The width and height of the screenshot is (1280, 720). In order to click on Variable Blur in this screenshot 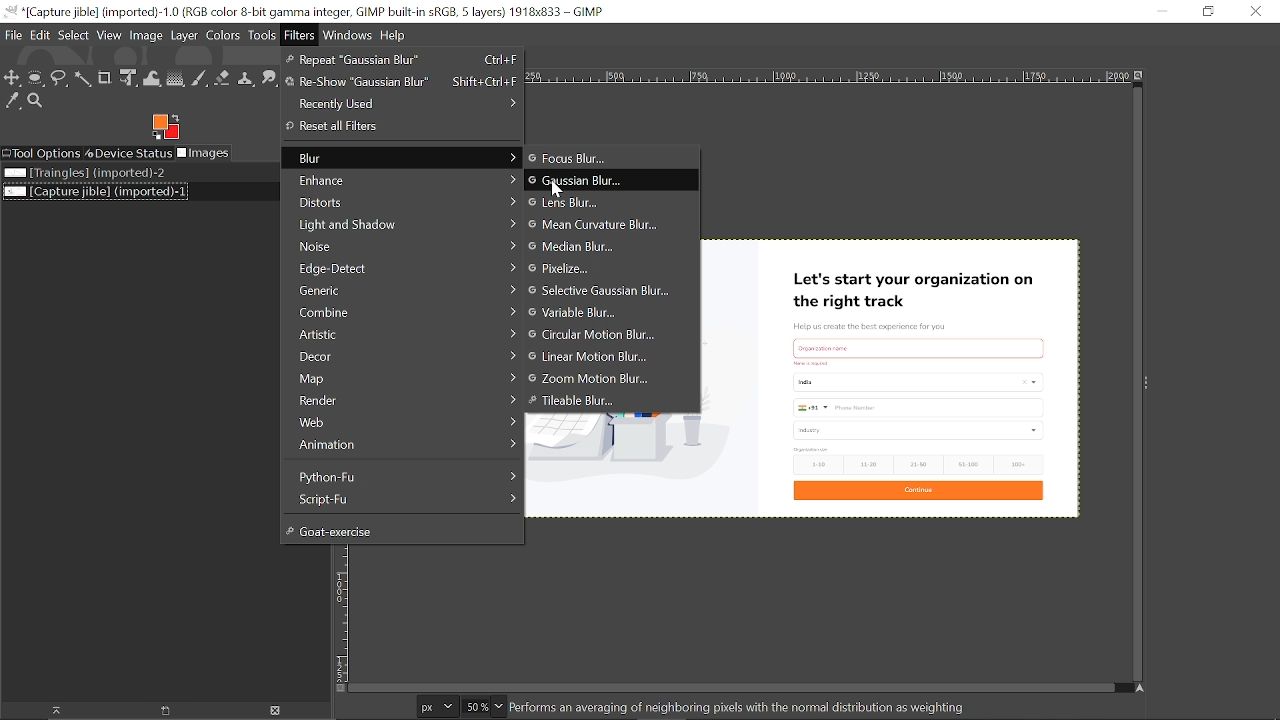, I will do `click(605, 313)`.